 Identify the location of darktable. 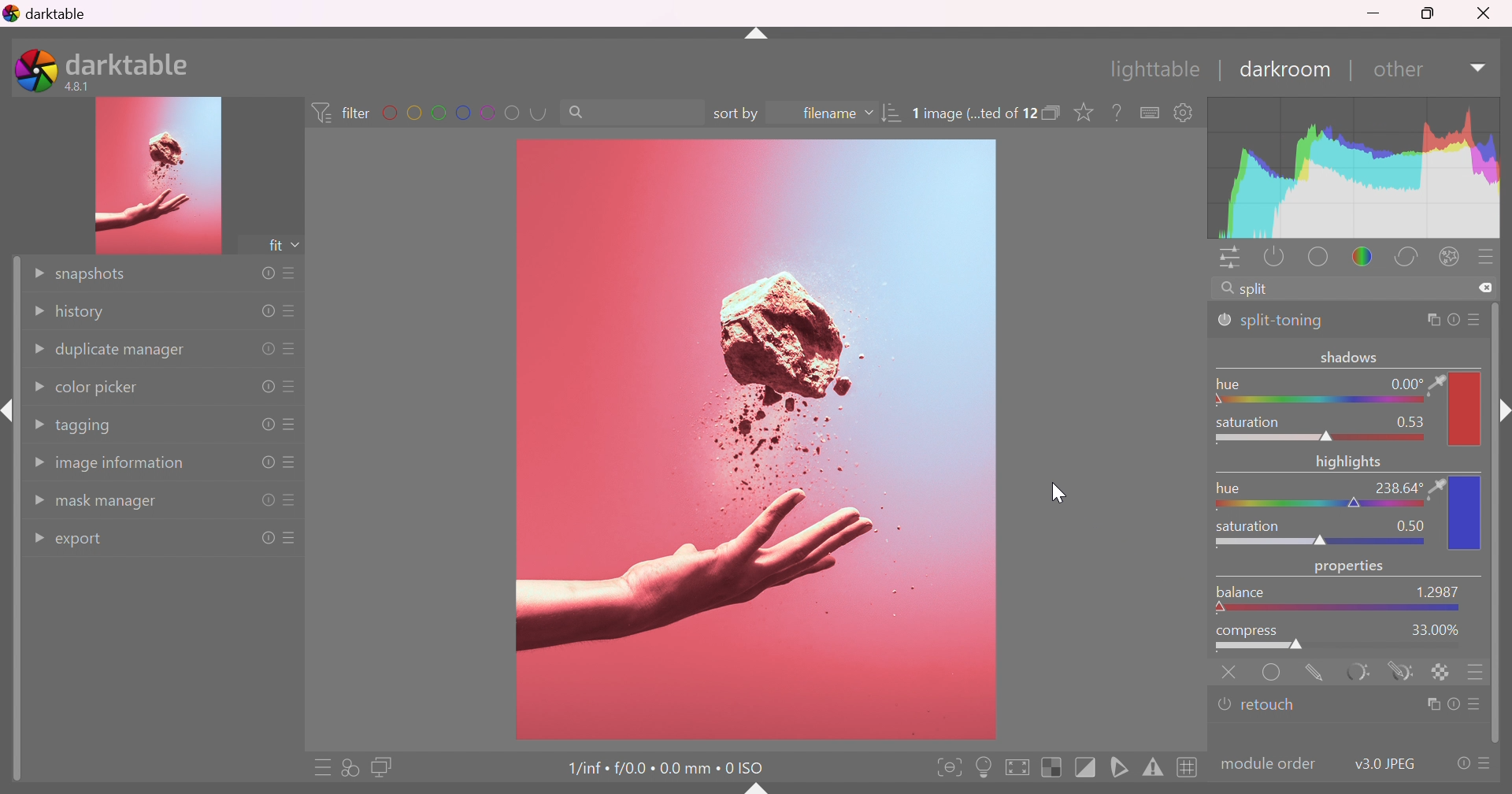
(50, 13).